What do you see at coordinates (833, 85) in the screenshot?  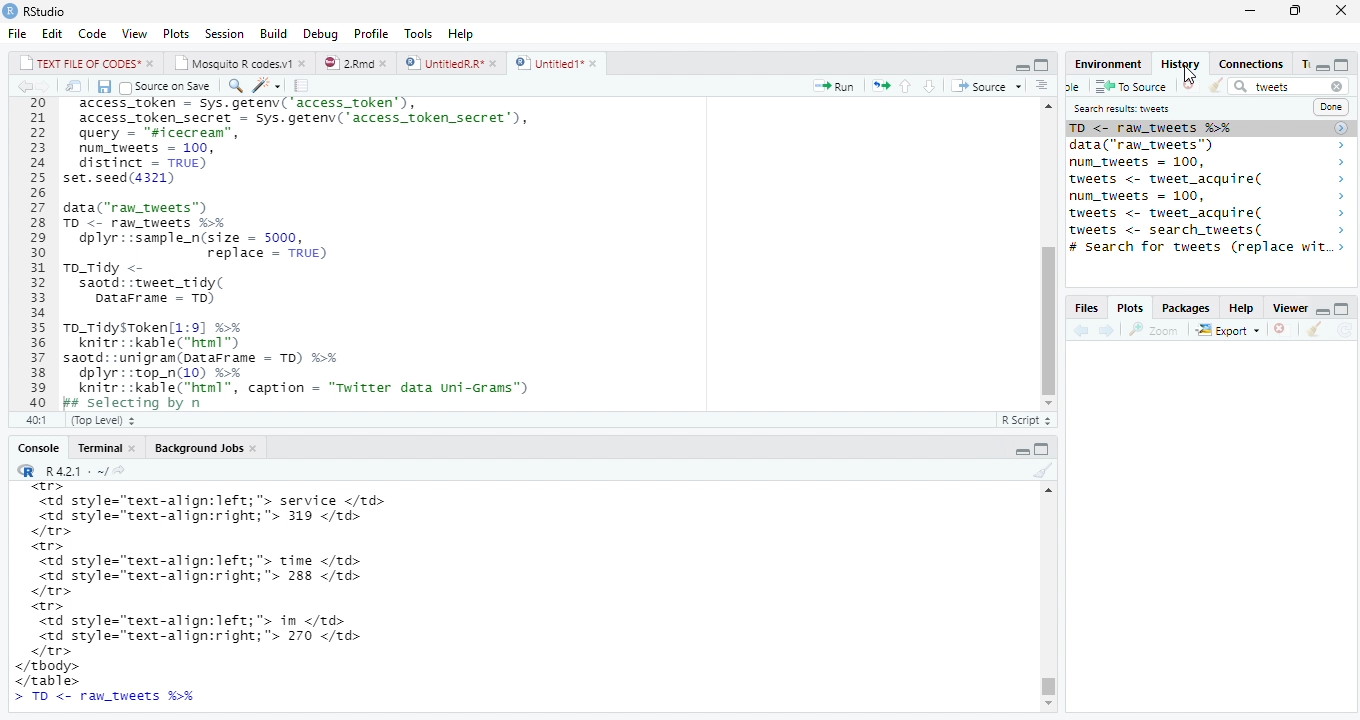 I see `Run` at bounding box center [833, 85].